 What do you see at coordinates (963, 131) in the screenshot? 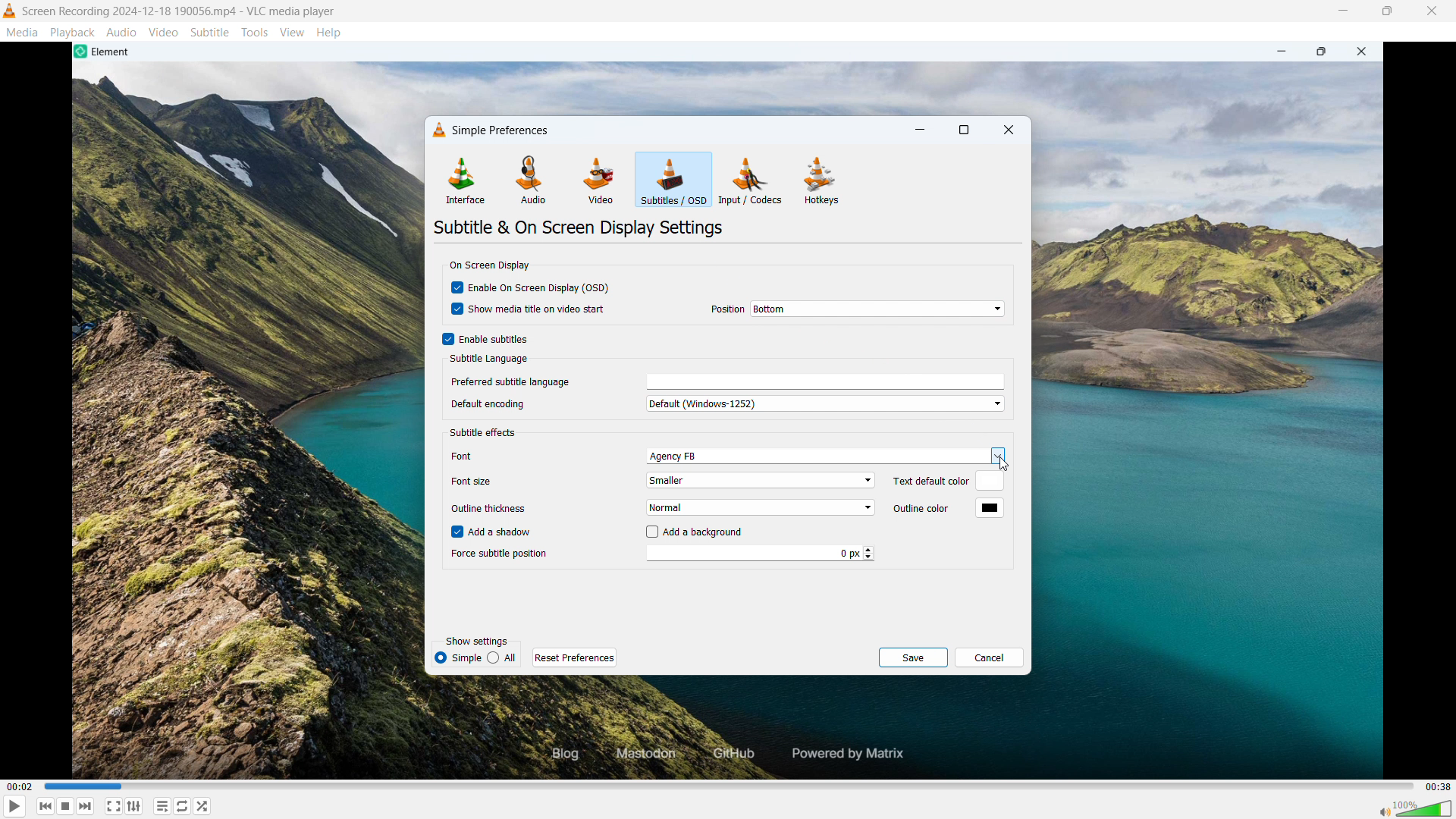
I see `maximize` at bounding box center [963, 131].